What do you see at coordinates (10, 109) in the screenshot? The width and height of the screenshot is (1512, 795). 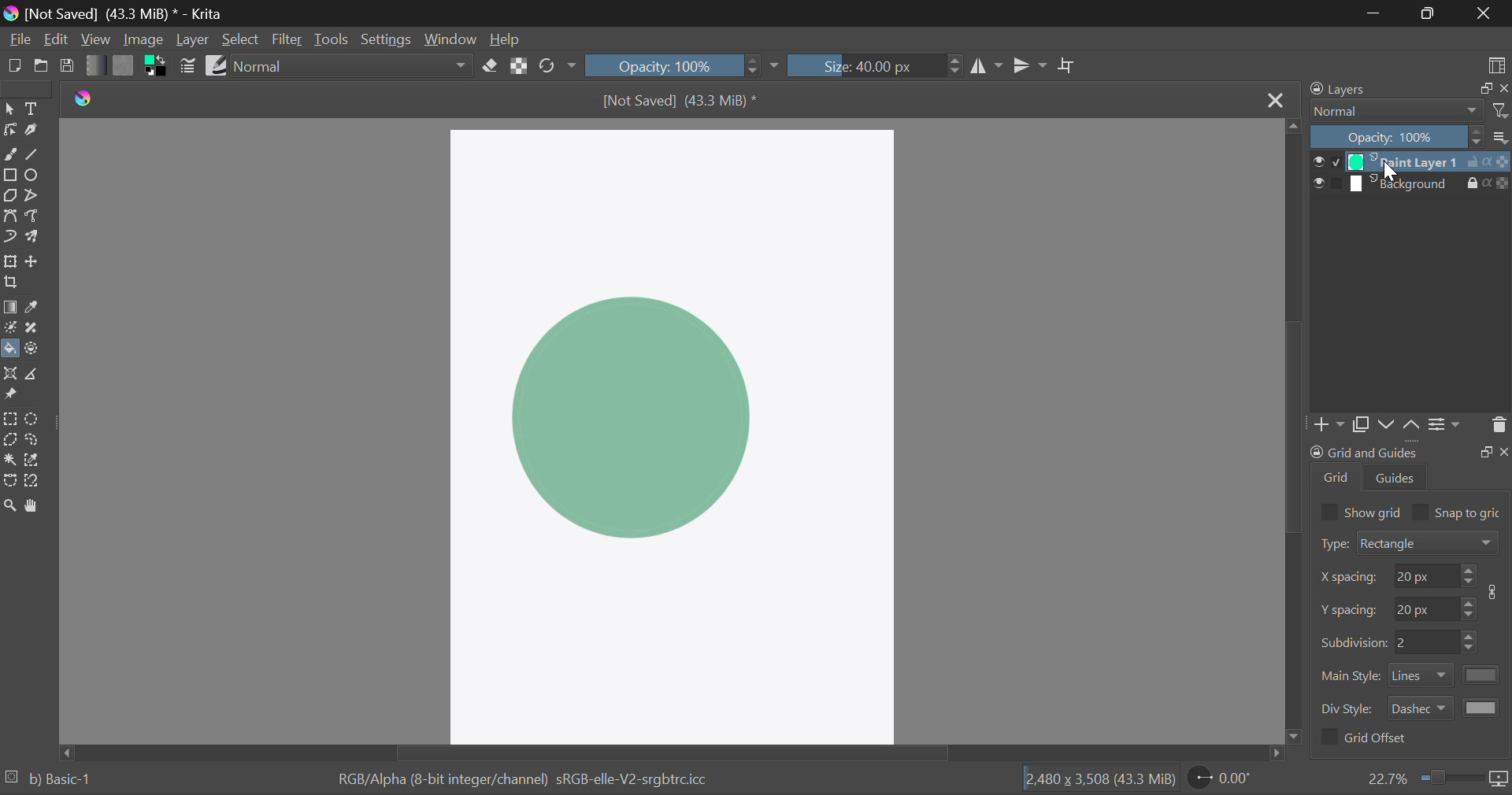 I see `Select` at bounding box center [10, 109].